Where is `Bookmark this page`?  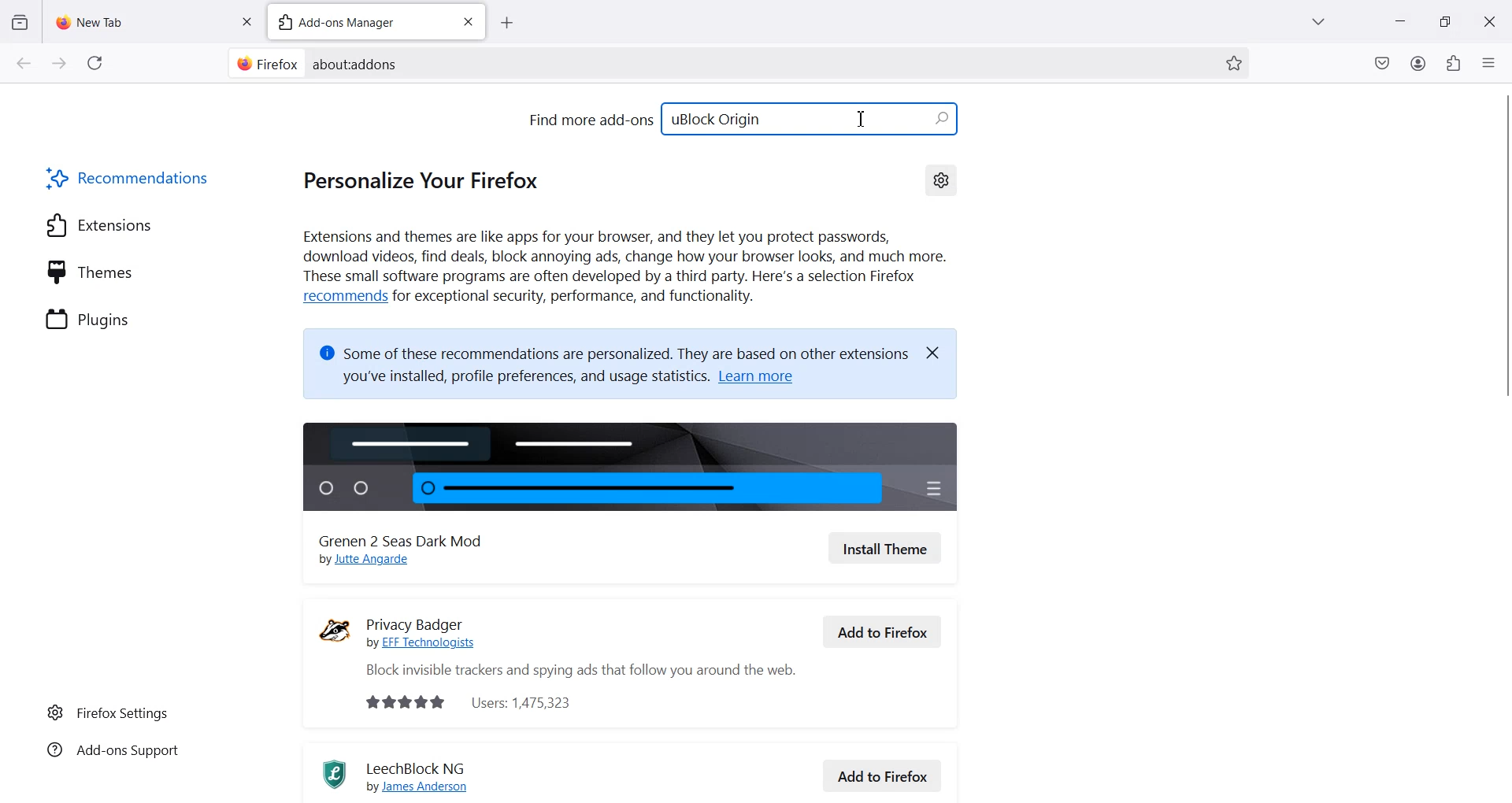
Bookmark this page is located at coordinates (1233, 63).